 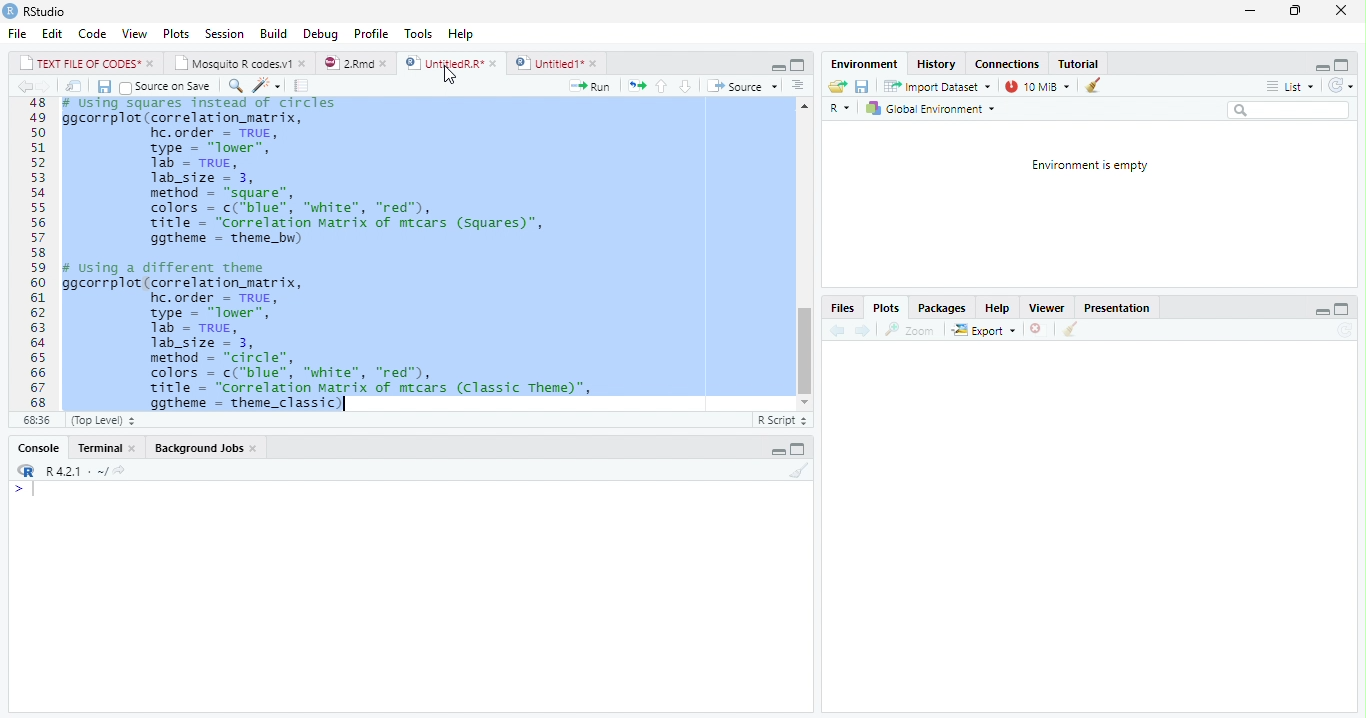 What do you see at coordinates (1048, 308) in the screenshot?
I see `Viewer` at bounding box center [1048, 308].